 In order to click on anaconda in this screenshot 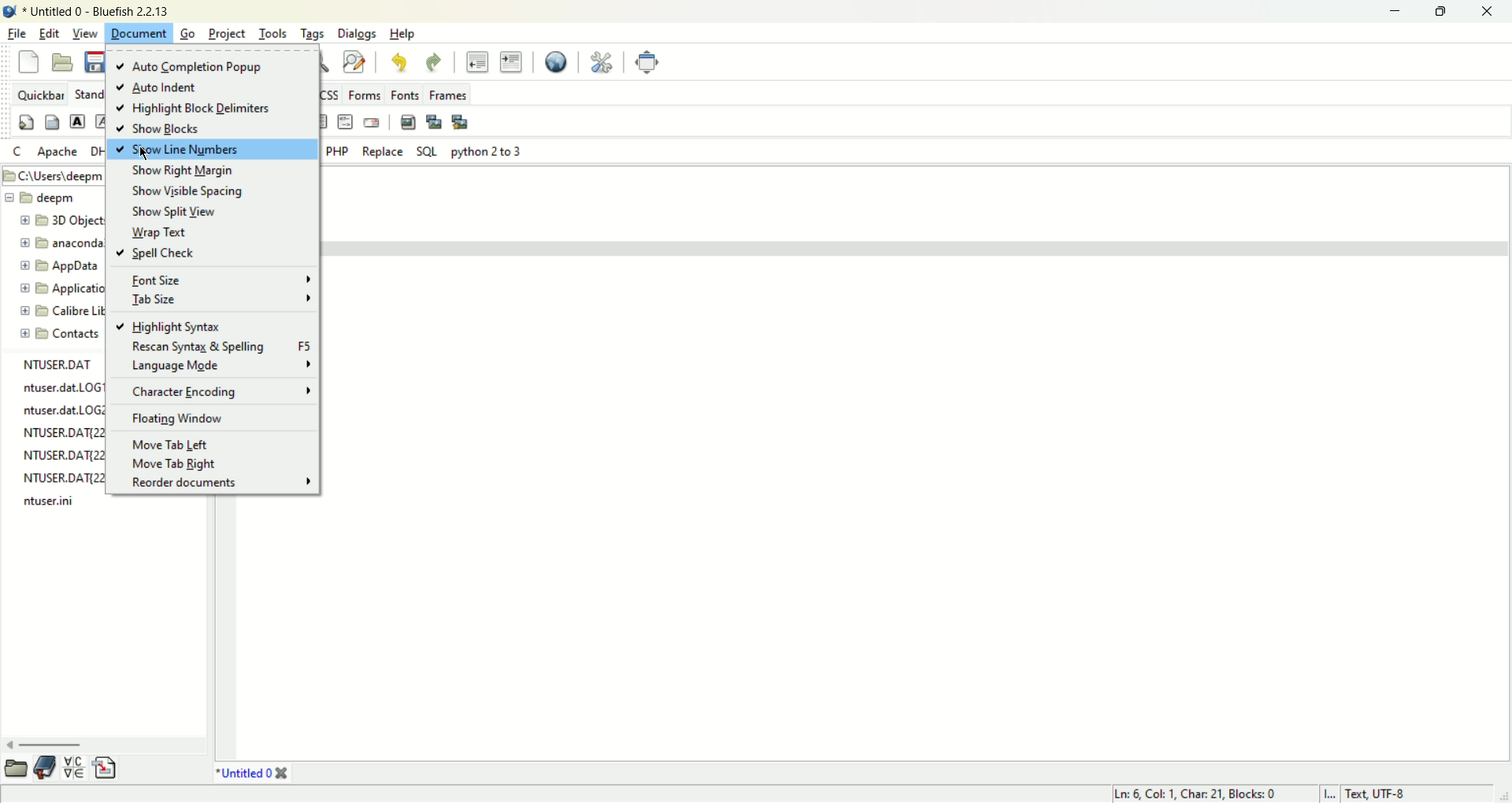, I will do `click(61, 242)`.